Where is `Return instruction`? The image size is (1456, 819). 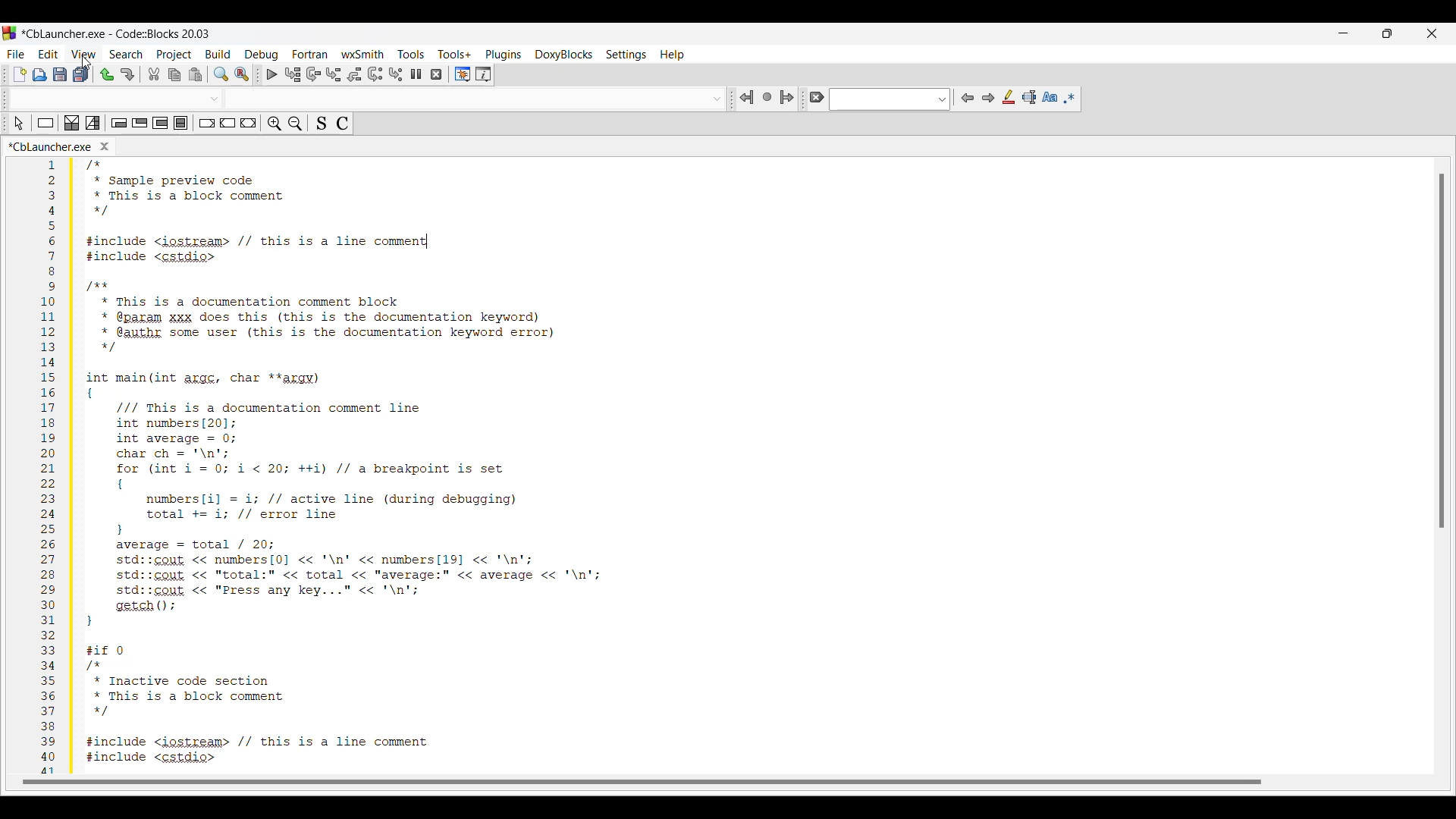
Return instruction is located at coordinates (249, 123).